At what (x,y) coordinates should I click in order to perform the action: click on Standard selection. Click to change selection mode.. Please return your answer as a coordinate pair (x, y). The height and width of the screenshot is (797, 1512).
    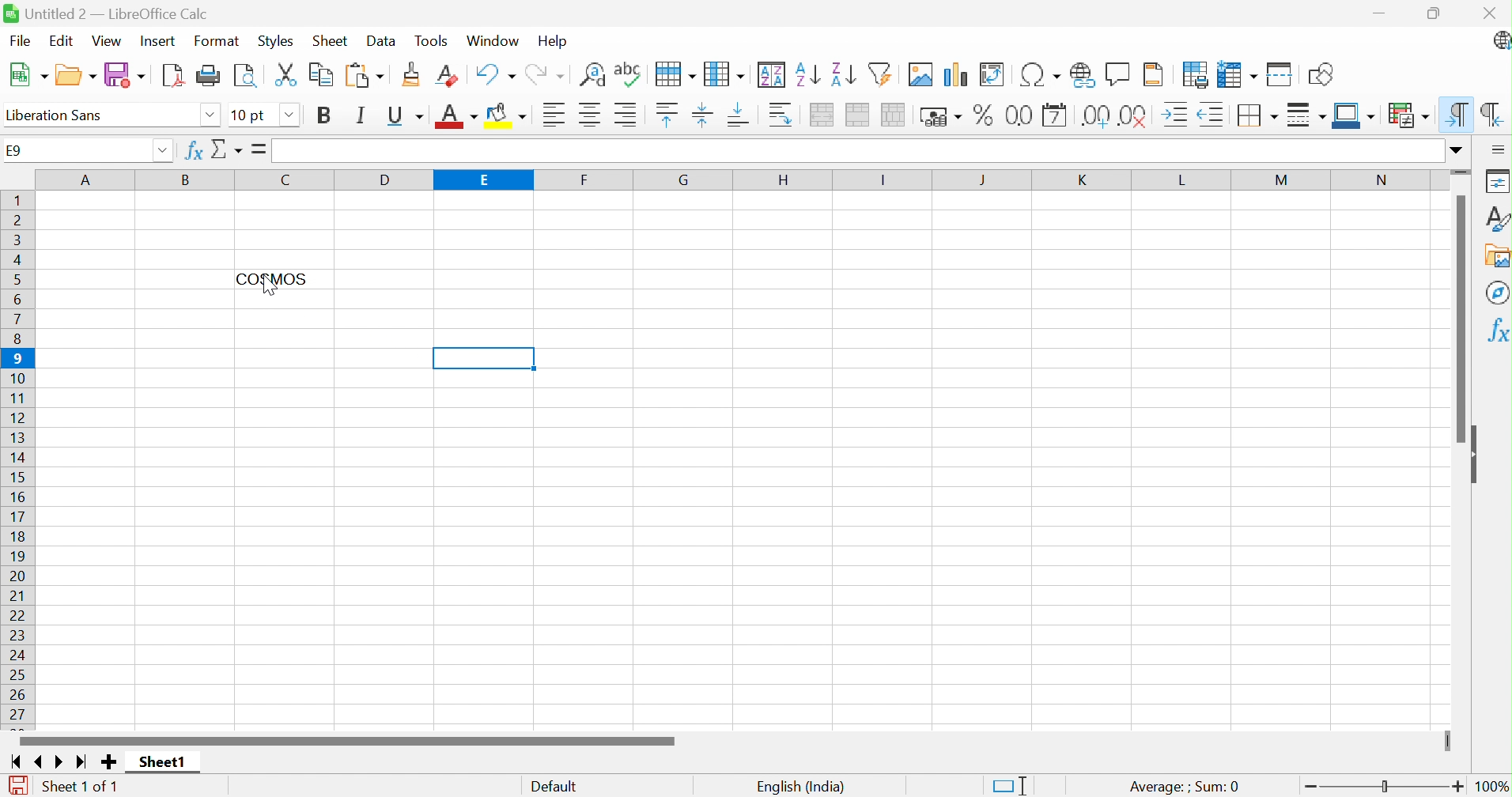
    Looking at the image, I should click on (1011, 785).